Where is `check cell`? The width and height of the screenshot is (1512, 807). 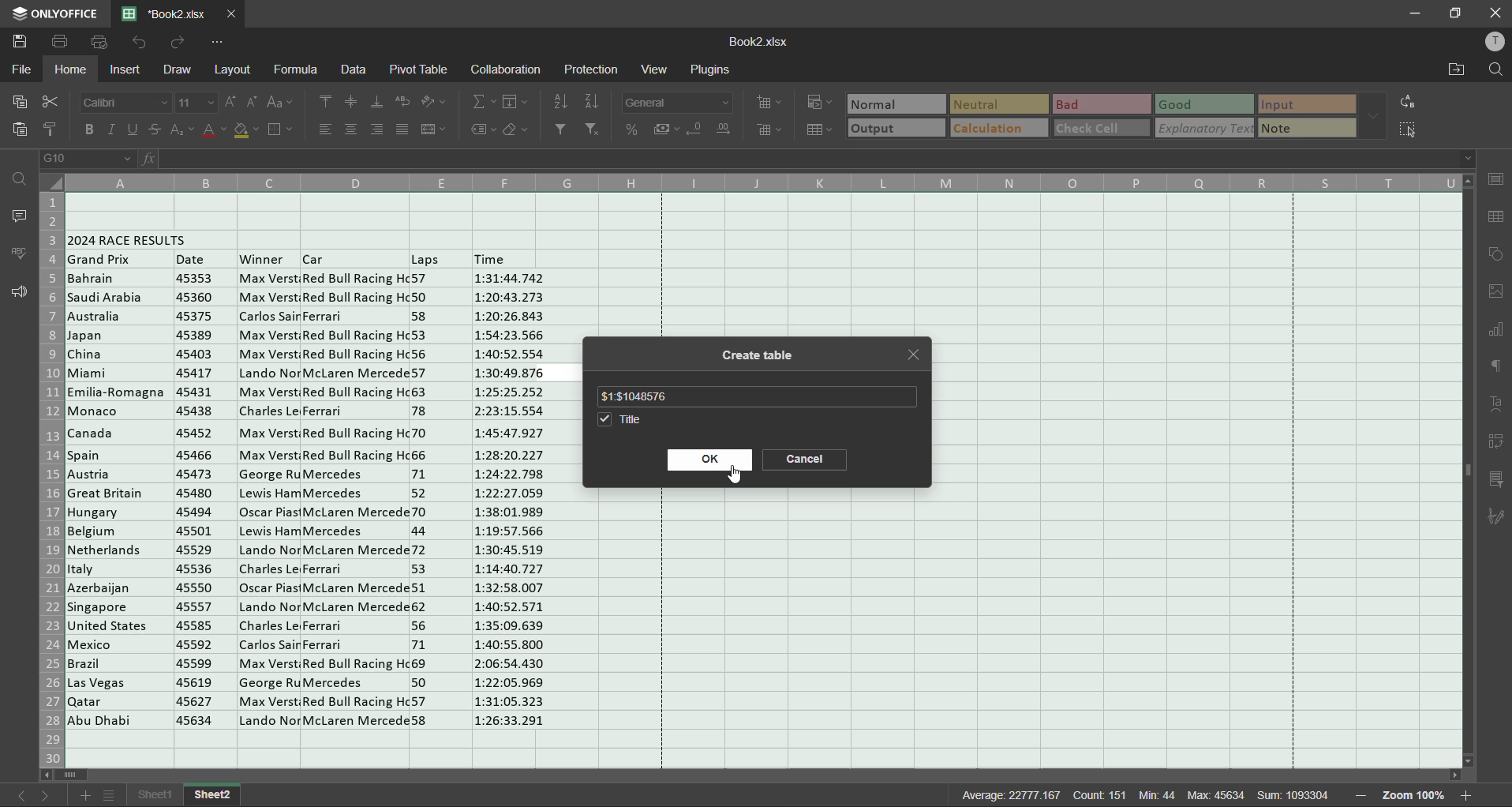
check cell is located at coordinates (1100, 129).